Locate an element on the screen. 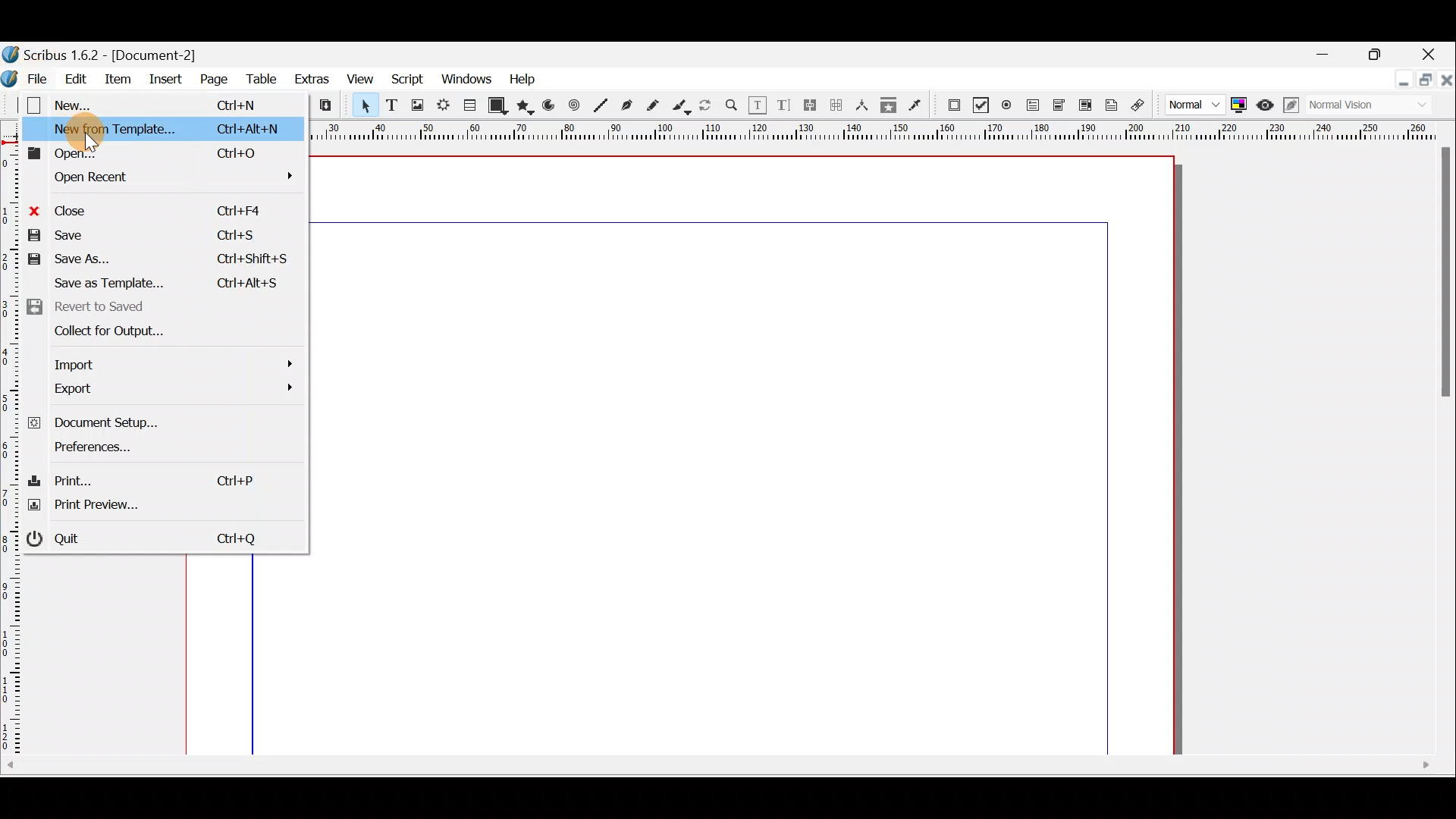 Image resolution: width=1456 pixels, height=819 pixels. Scroll bar is located at coordinates (729, 767).